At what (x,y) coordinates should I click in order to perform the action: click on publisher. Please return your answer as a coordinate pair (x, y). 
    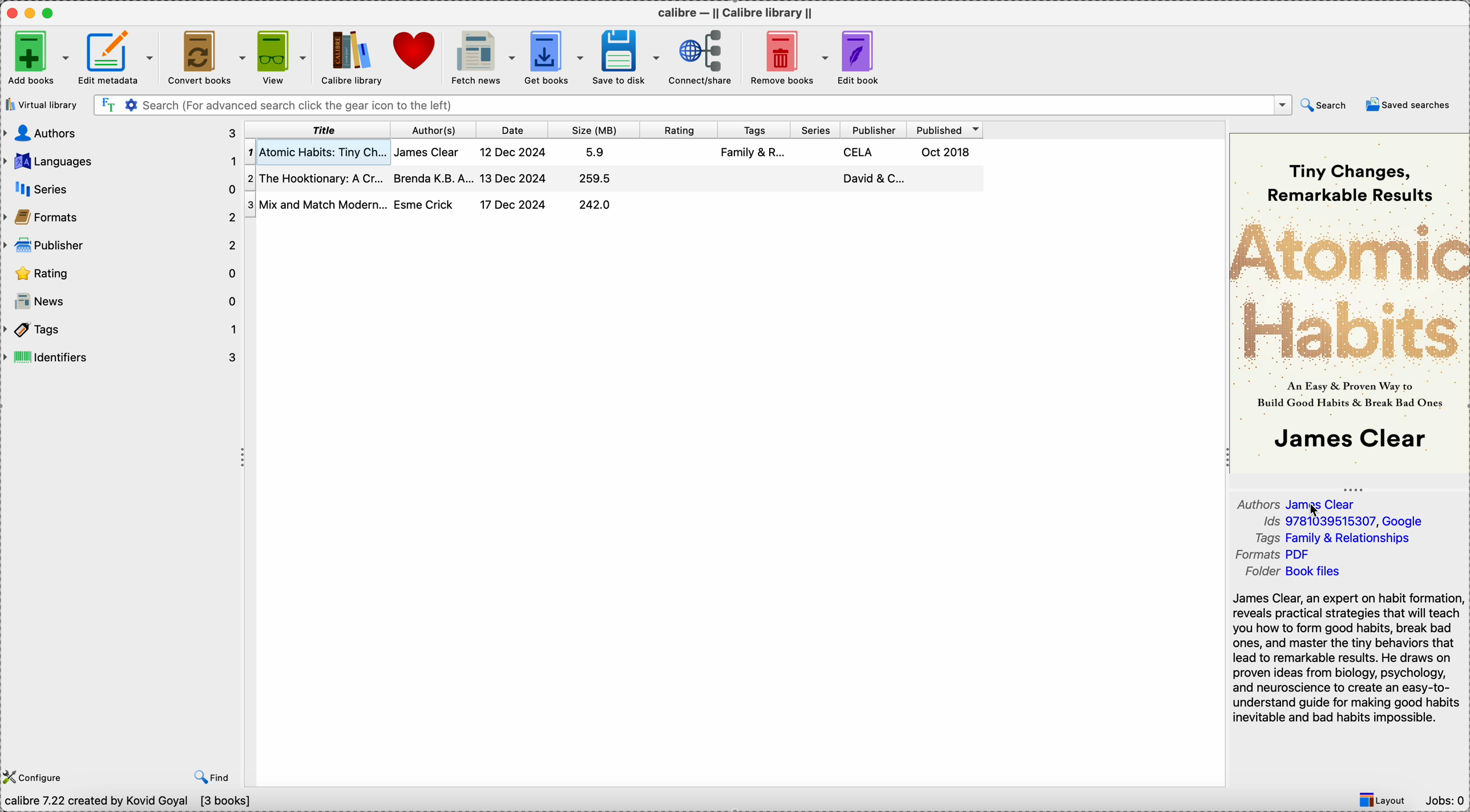
    Looking at the image, I should click on (122, 247).